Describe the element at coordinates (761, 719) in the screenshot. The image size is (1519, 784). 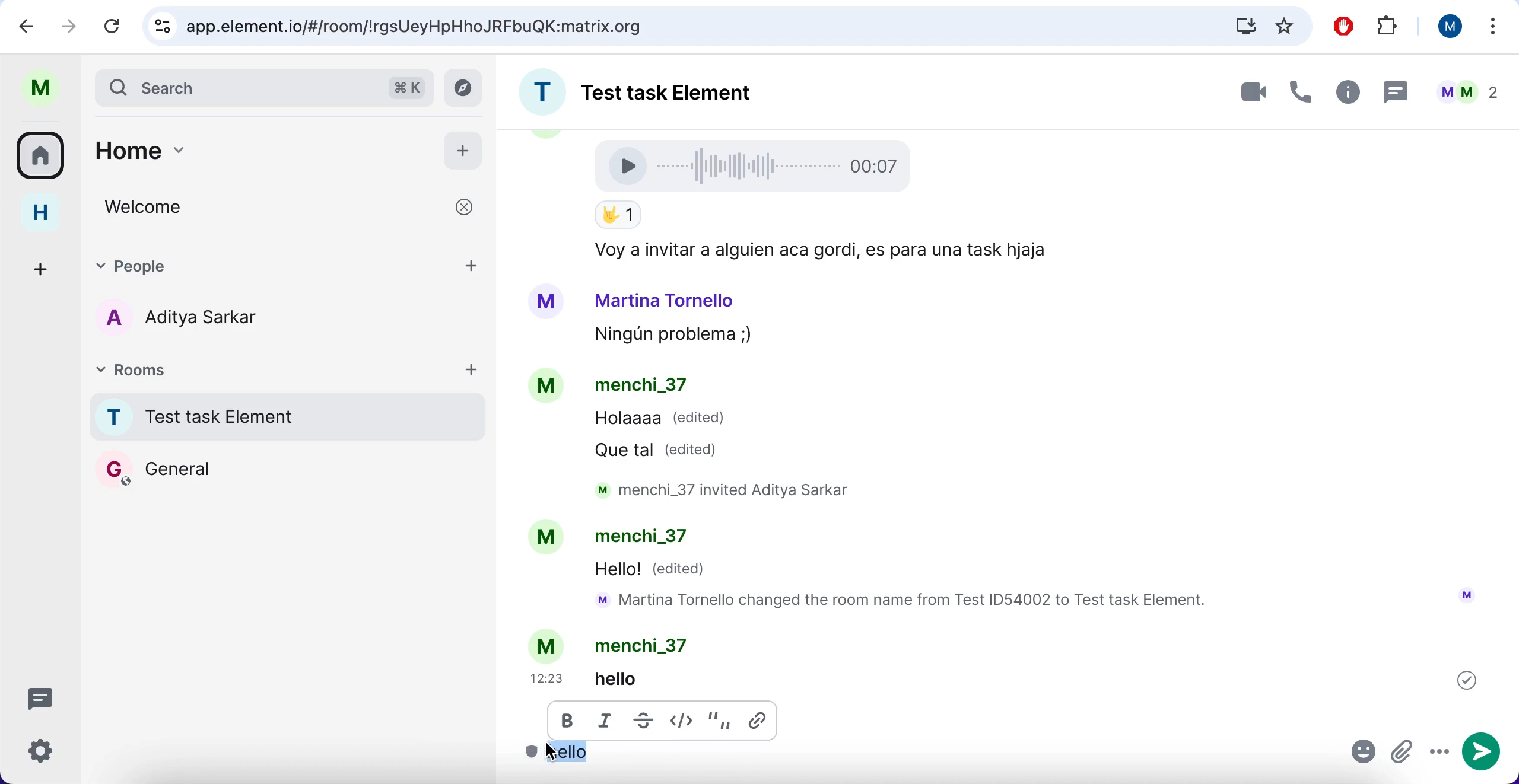
I see `insert link` at that location.